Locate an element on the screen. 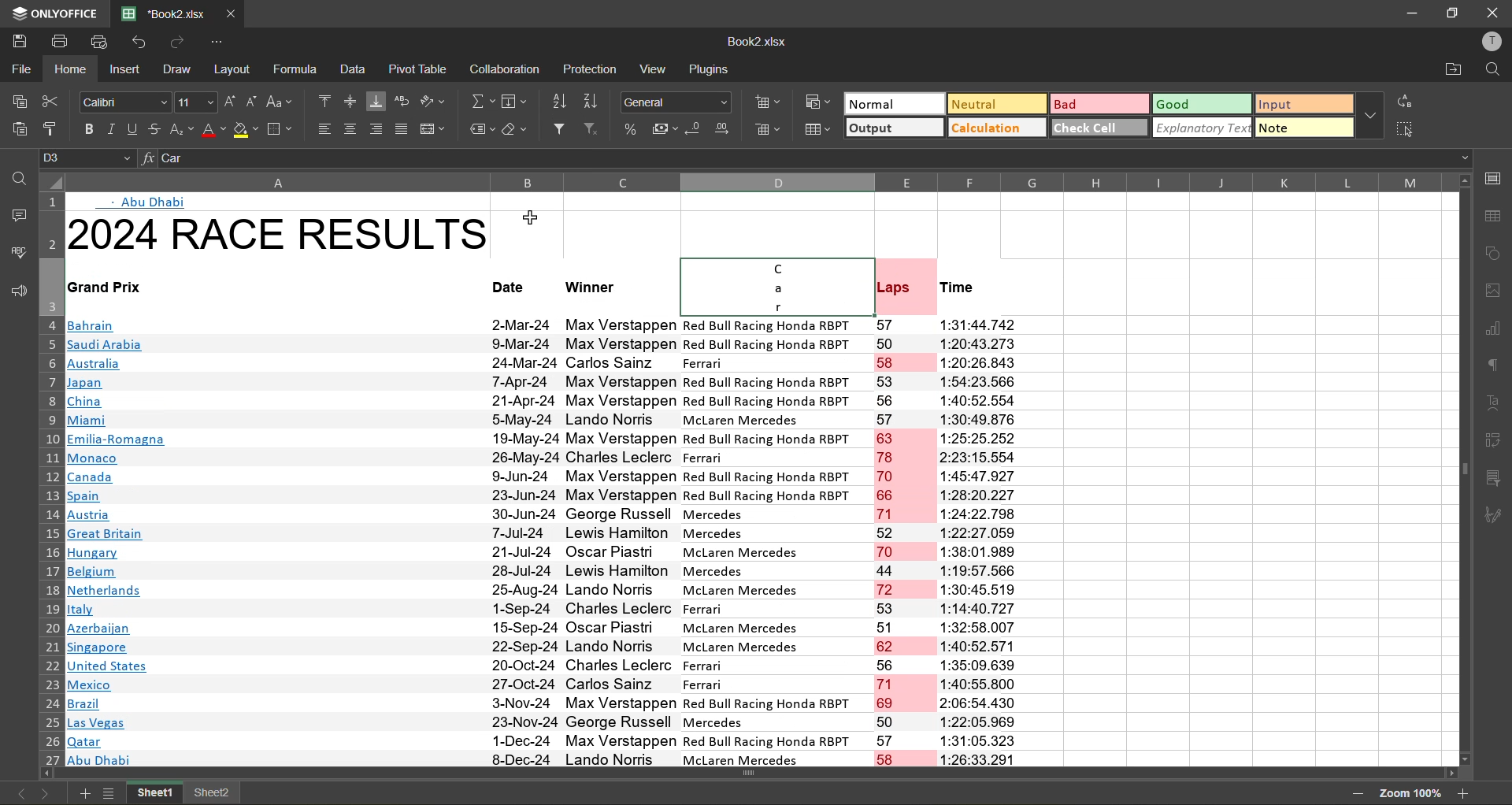 This screenshot has height=805, width=1512. Links is located at coordinates (121, 509).